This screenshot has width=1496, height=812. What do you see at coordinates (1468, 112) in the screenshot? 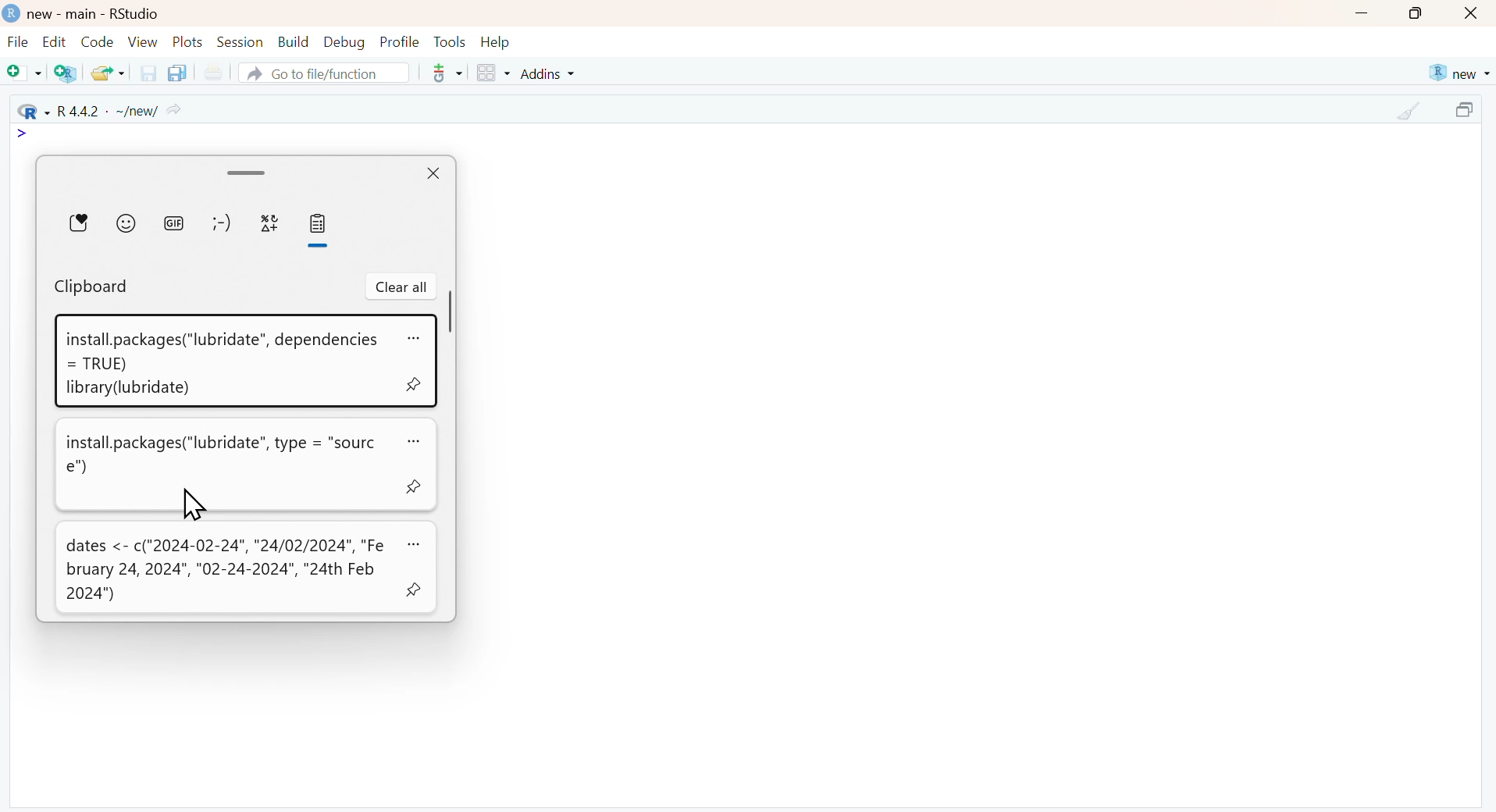
I see `maximize` at bounding box center [1468, 112].